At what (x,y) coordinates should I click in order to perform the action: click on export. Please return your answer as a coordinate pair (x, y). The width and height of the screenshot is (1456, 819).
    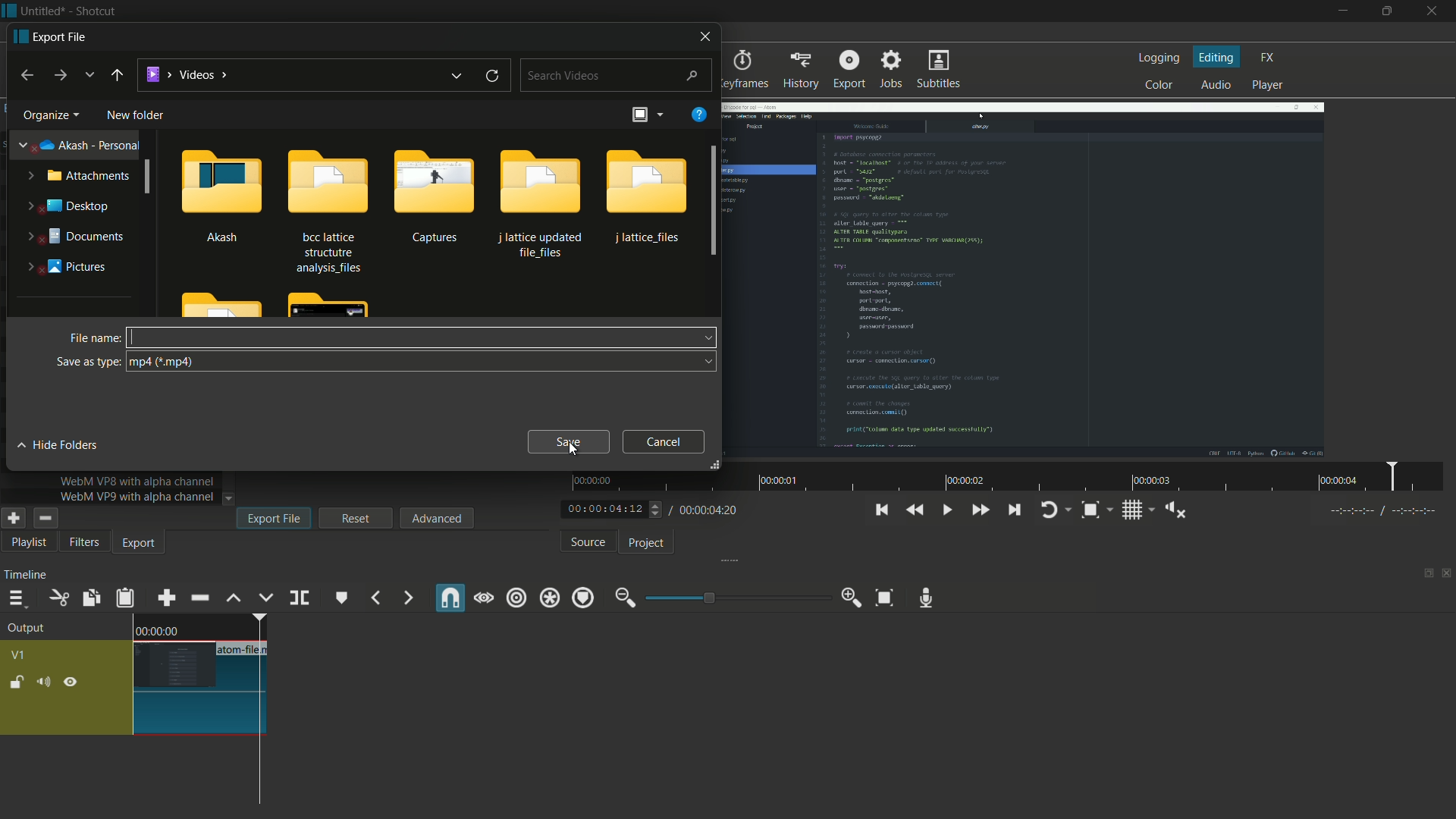
    Looking at the image, I should click on (140, 545).